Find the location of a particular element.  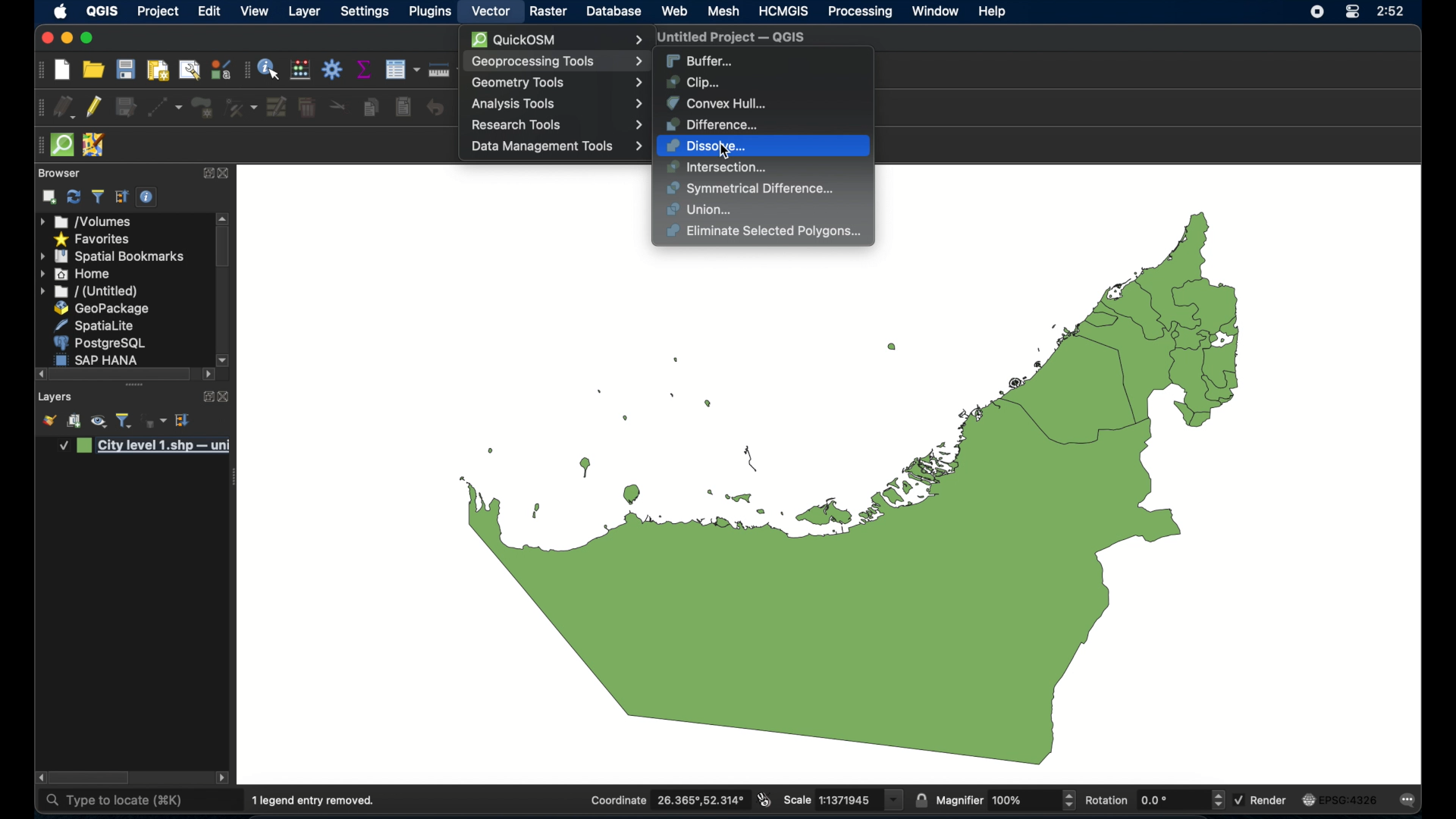

boundary map of UAE is located at coordinates (848, 507).